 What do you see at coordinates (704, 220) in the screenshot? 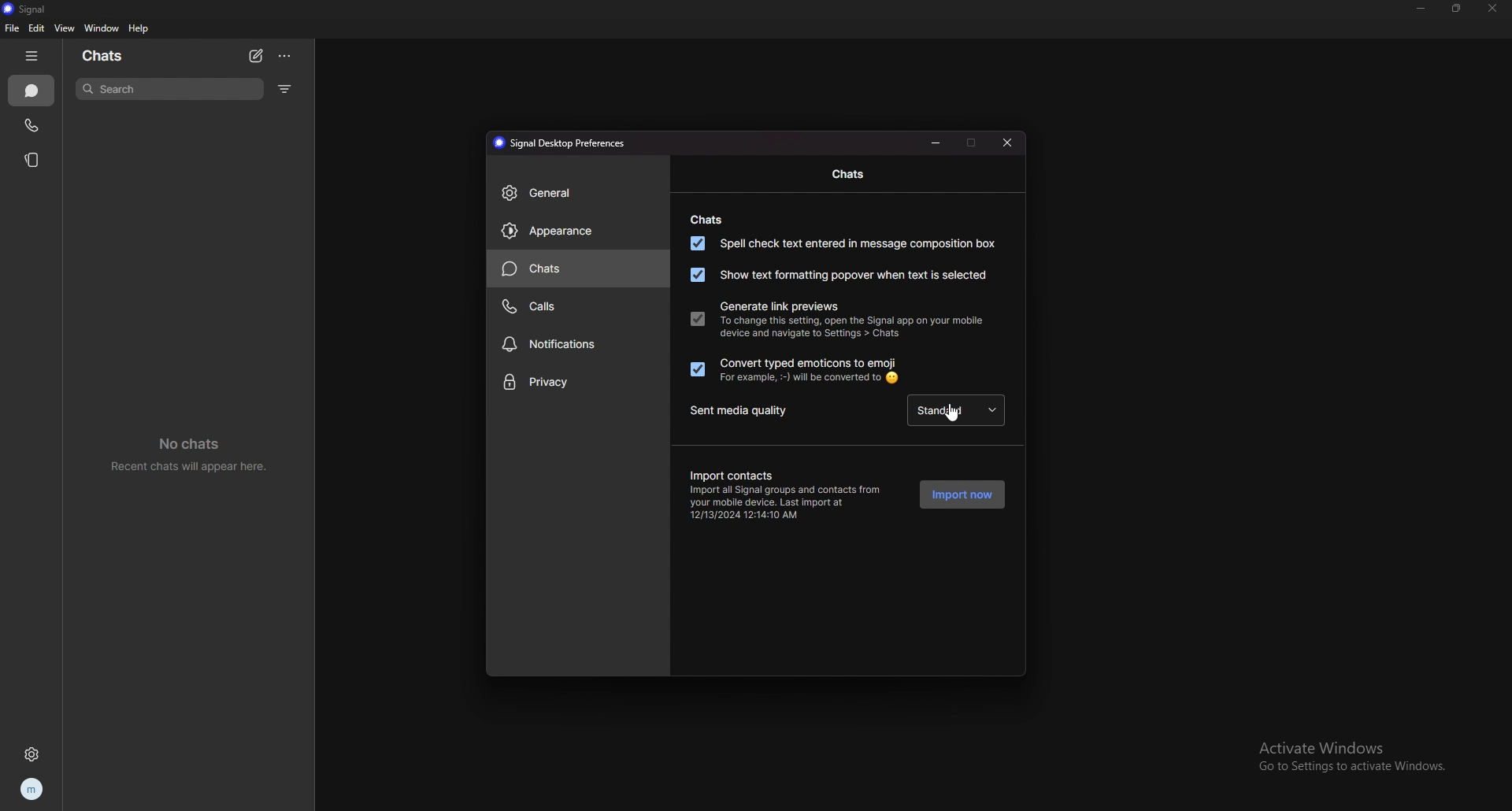
I see `chats` at bounding box center [704, 220].